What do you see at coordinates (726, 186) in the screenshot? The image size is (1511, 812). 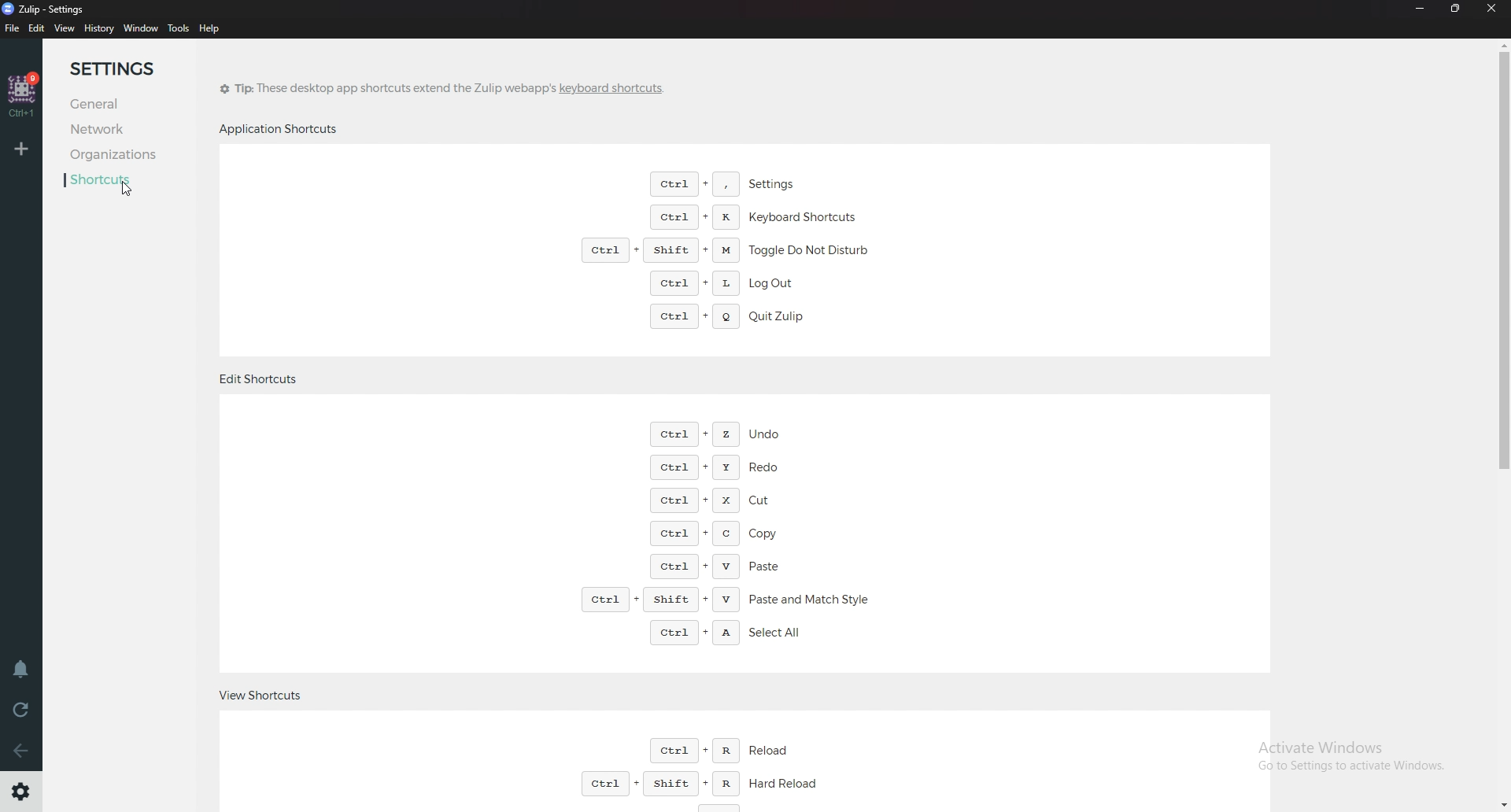 I see `Settings` at bounding box center [726, 186].